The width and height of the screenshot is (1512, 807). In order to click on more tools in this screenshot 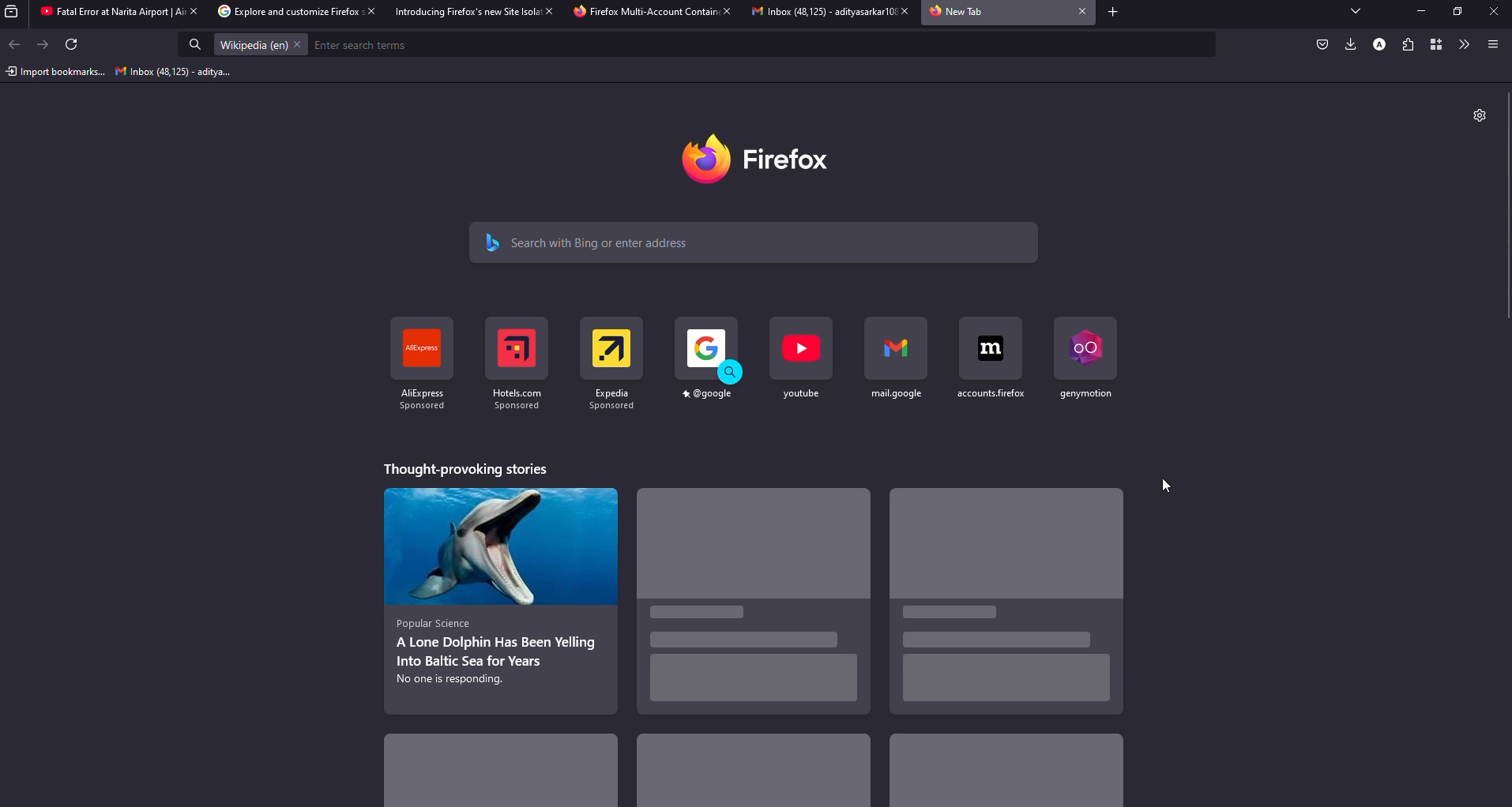, I will do `click(1466, 45)`.